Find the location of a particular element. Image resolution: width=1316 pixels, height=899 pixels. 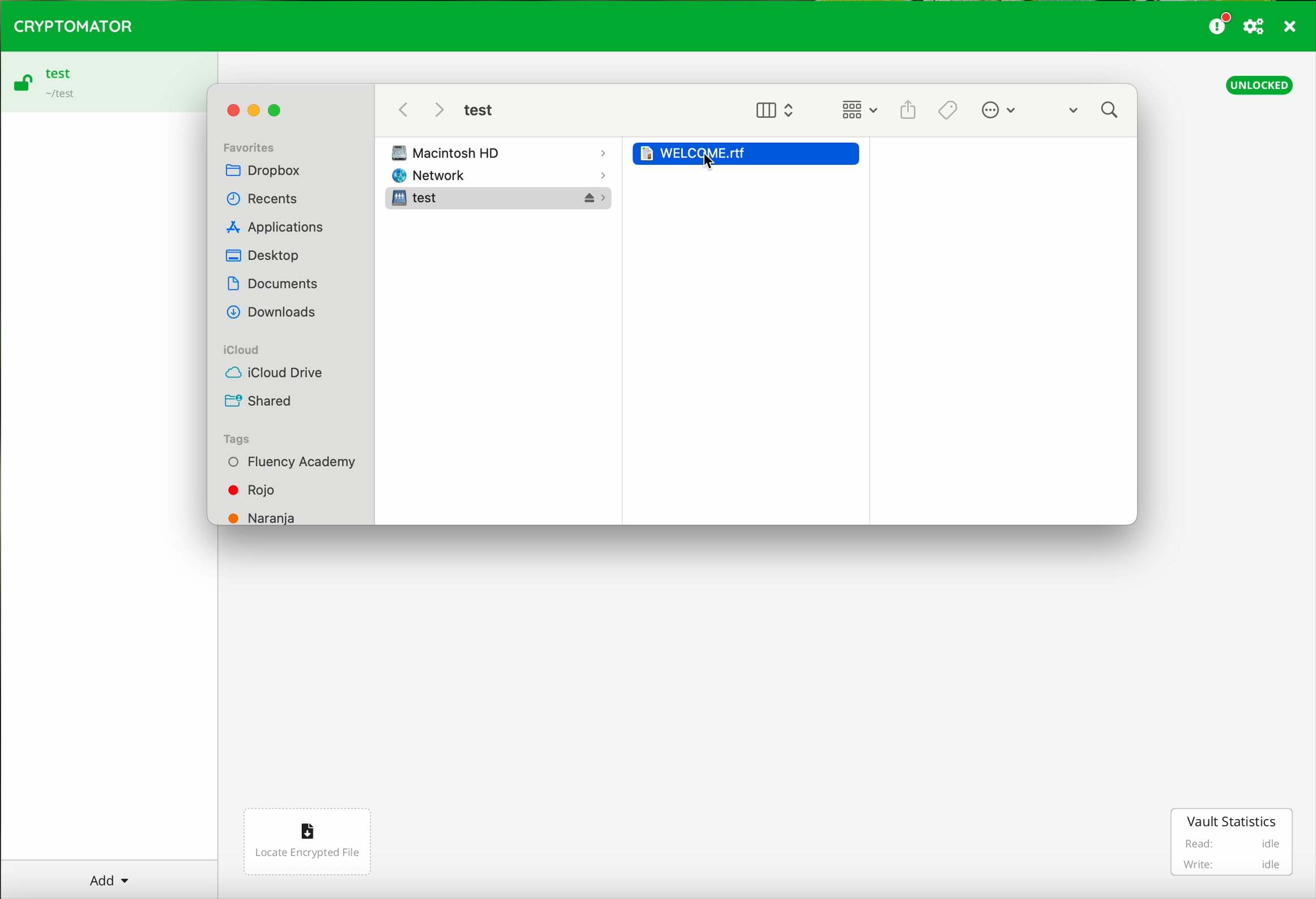

preferences is located at coordinates (1255, 27).